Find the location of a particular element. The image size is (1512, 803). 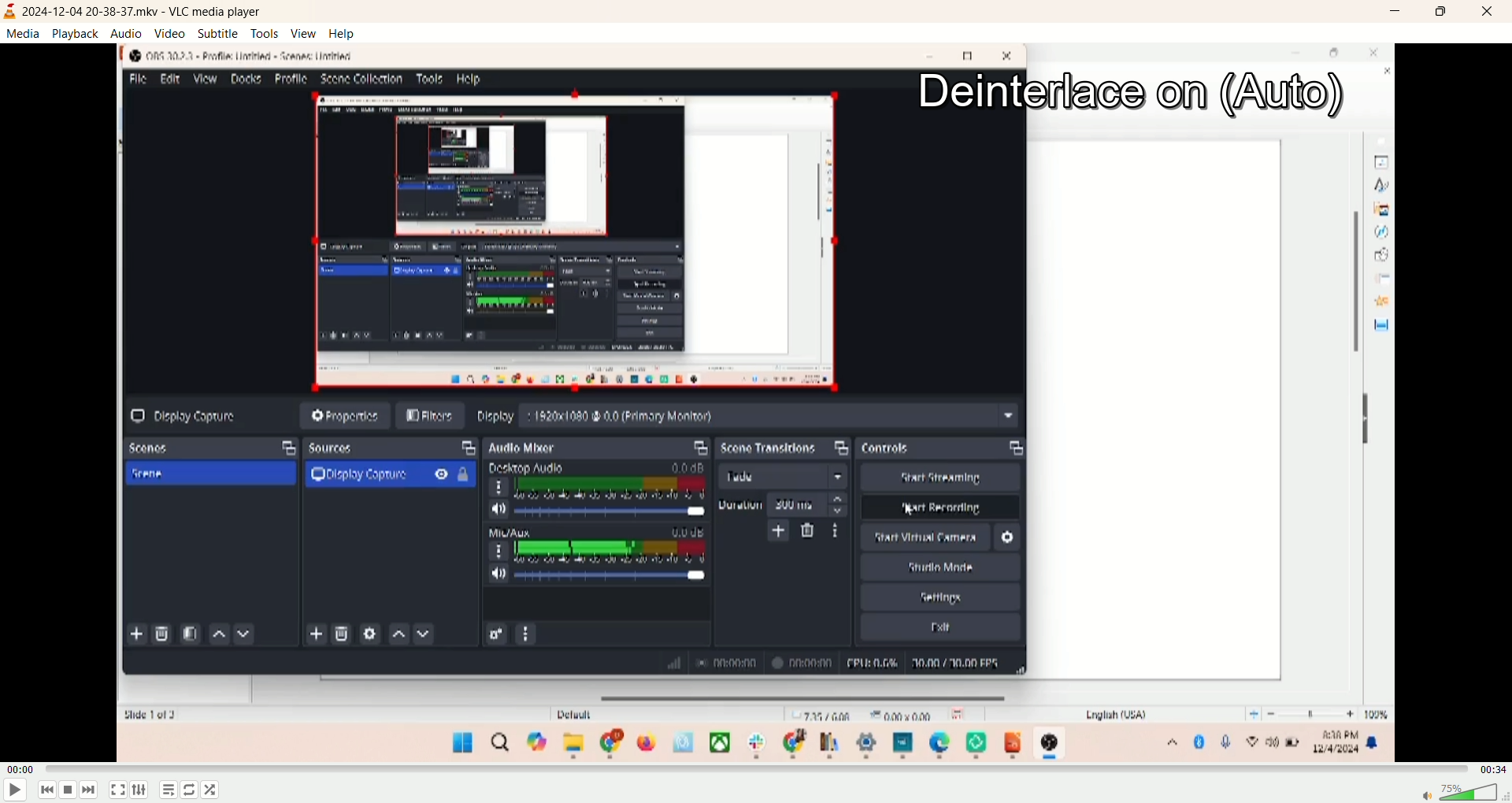

play/pause is located at coordinates (14, 791).